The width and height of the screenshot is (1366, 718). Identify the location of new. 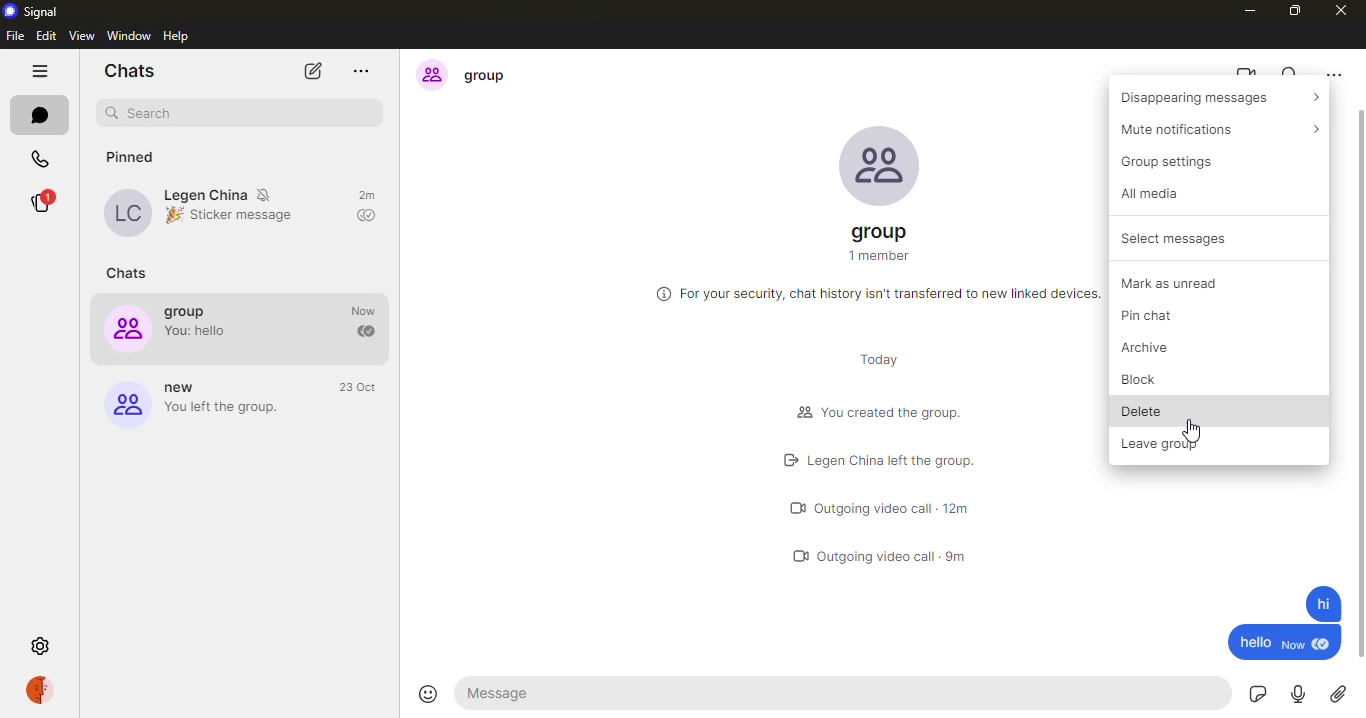
(1293, 647).